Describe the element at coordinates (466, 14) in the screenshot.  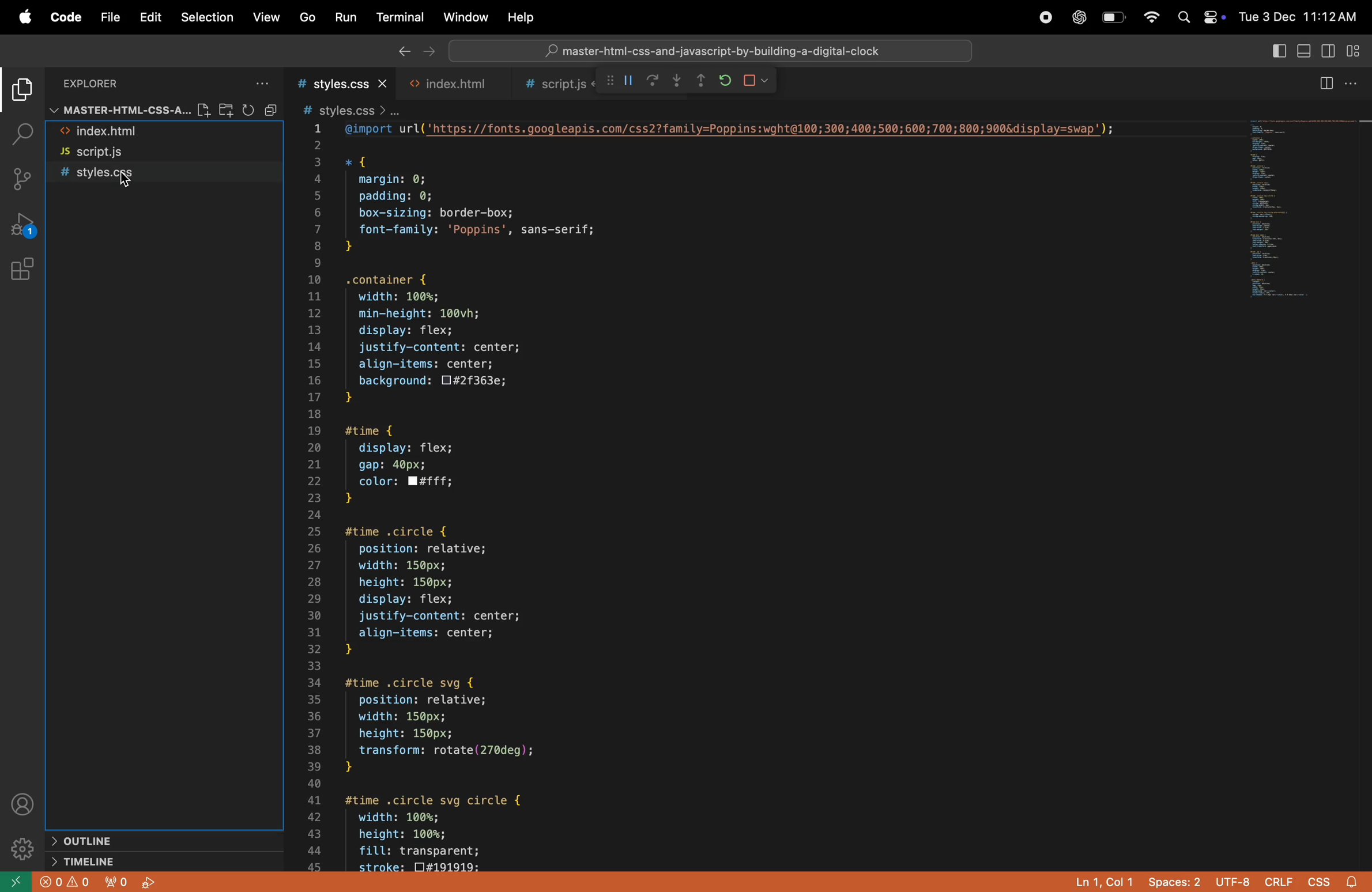
I see `window` at that location.